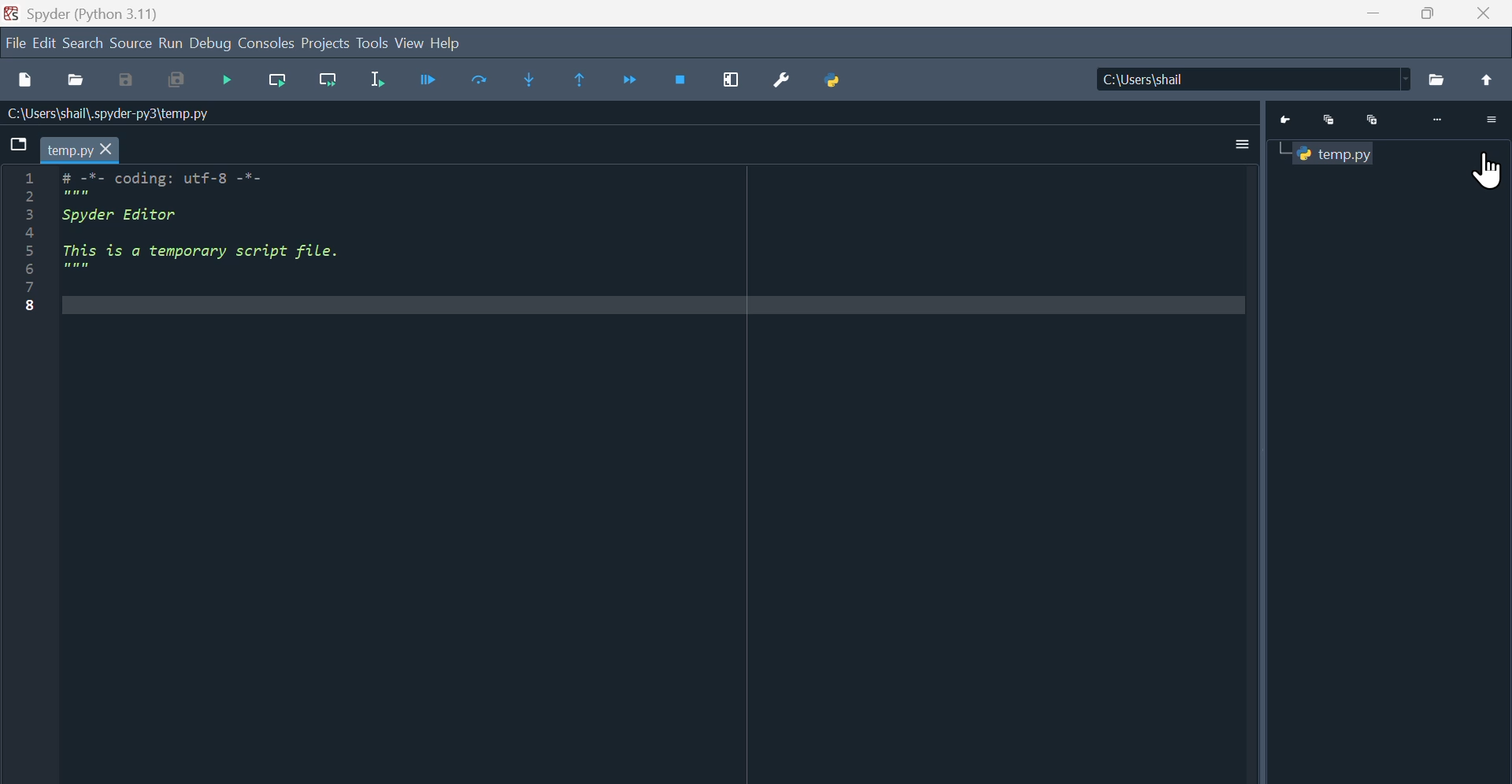  I want to click on Debug, so click(212, 43).